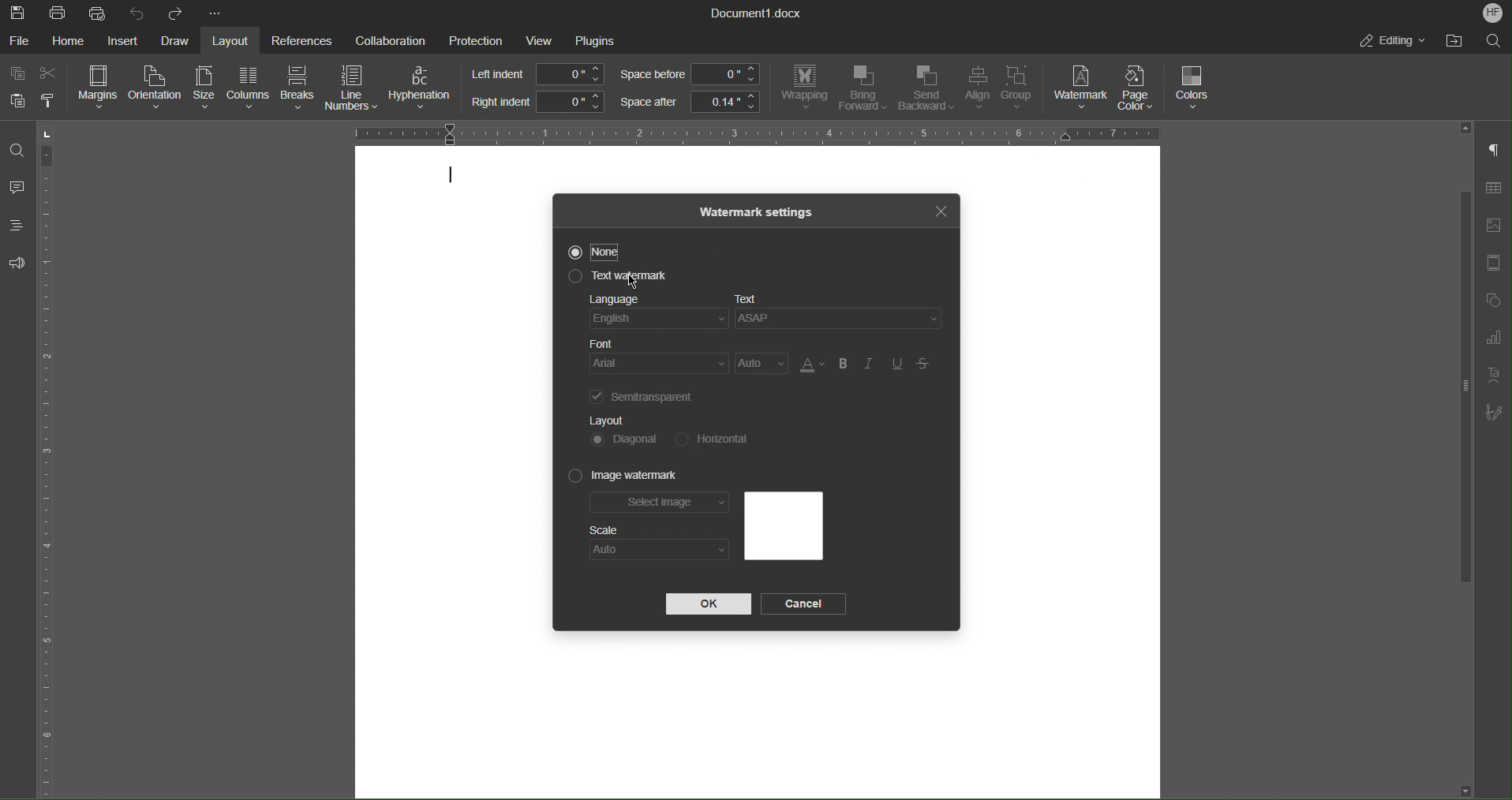  Describe the element at coordinates (925, 364) in the screenshot. I see `Strikethrough` at that location.